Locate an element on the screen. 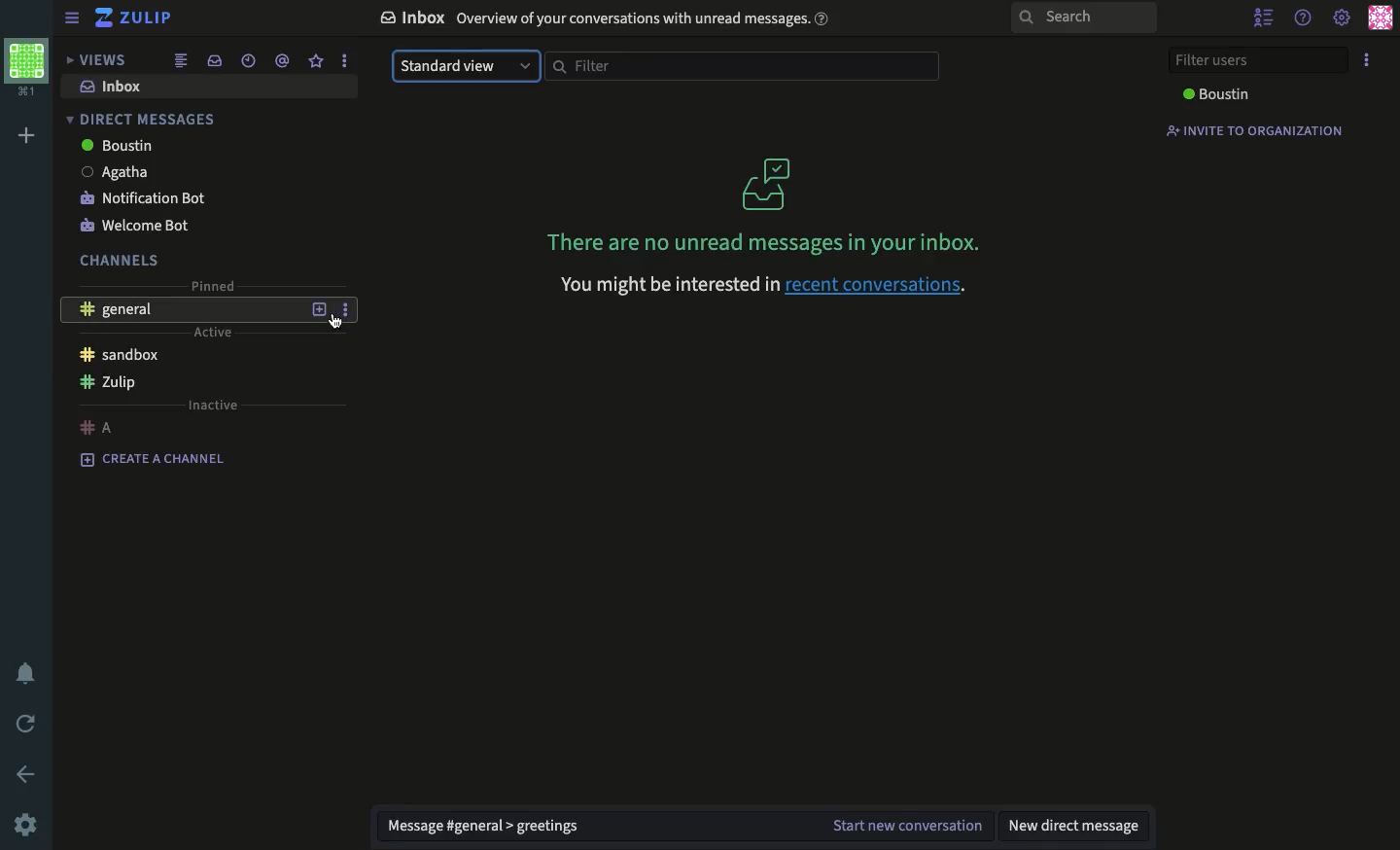 The width and height of the screenshot is (1400, 850). sandbox is located at coordinates (120, 358).